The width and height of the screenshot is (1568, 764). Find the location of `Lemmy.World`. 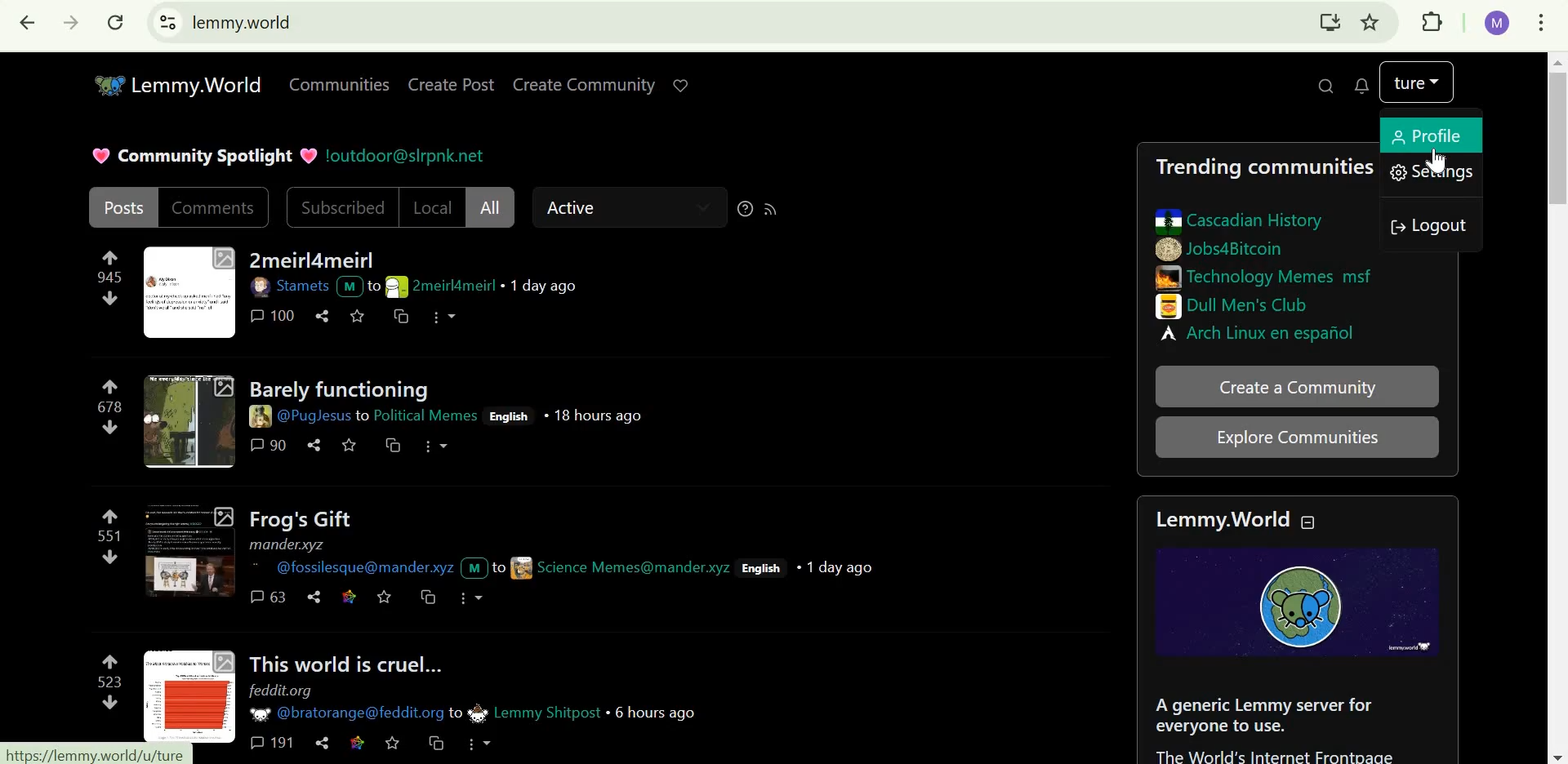

Lemmy.World is located at coordinates (180, 83).